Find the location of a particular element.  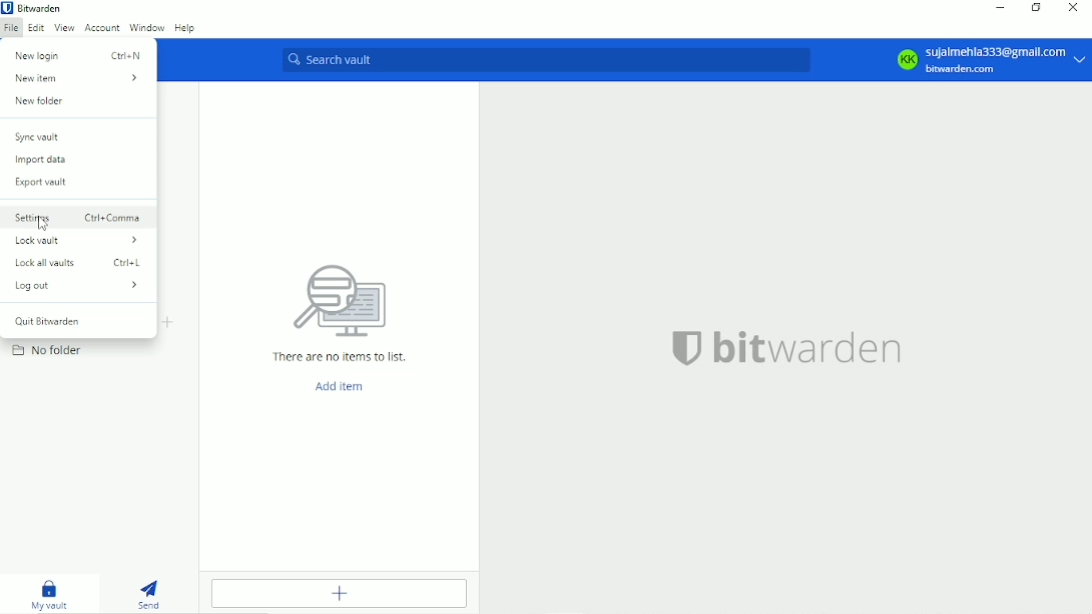

Window is located at coordinates (147, 27).